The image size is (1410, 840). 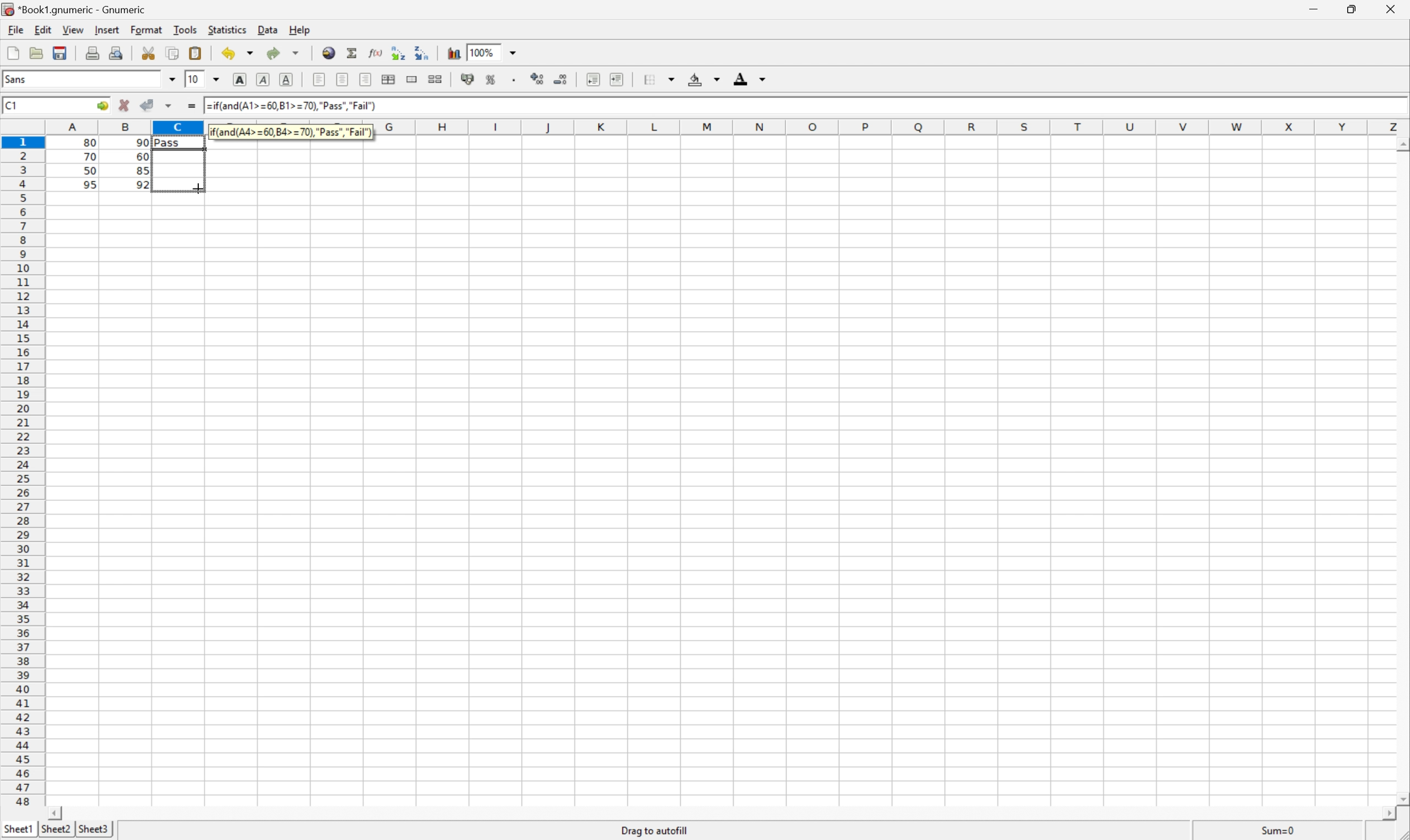 I want to click on 100%, so click(x=490, y=52).